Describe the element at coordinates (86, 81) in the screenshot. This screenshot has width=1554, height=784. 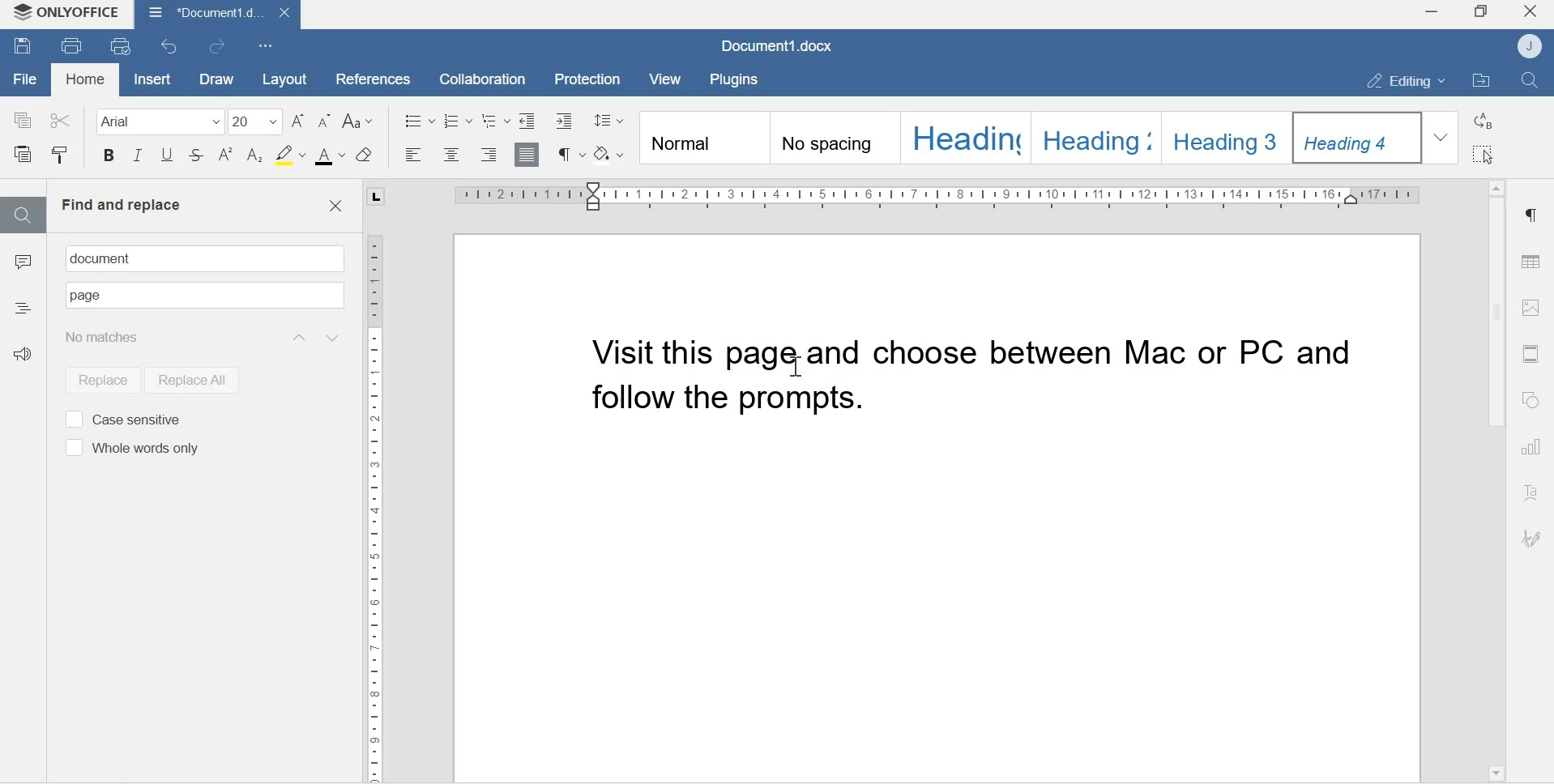
I see `Homd` at that location.